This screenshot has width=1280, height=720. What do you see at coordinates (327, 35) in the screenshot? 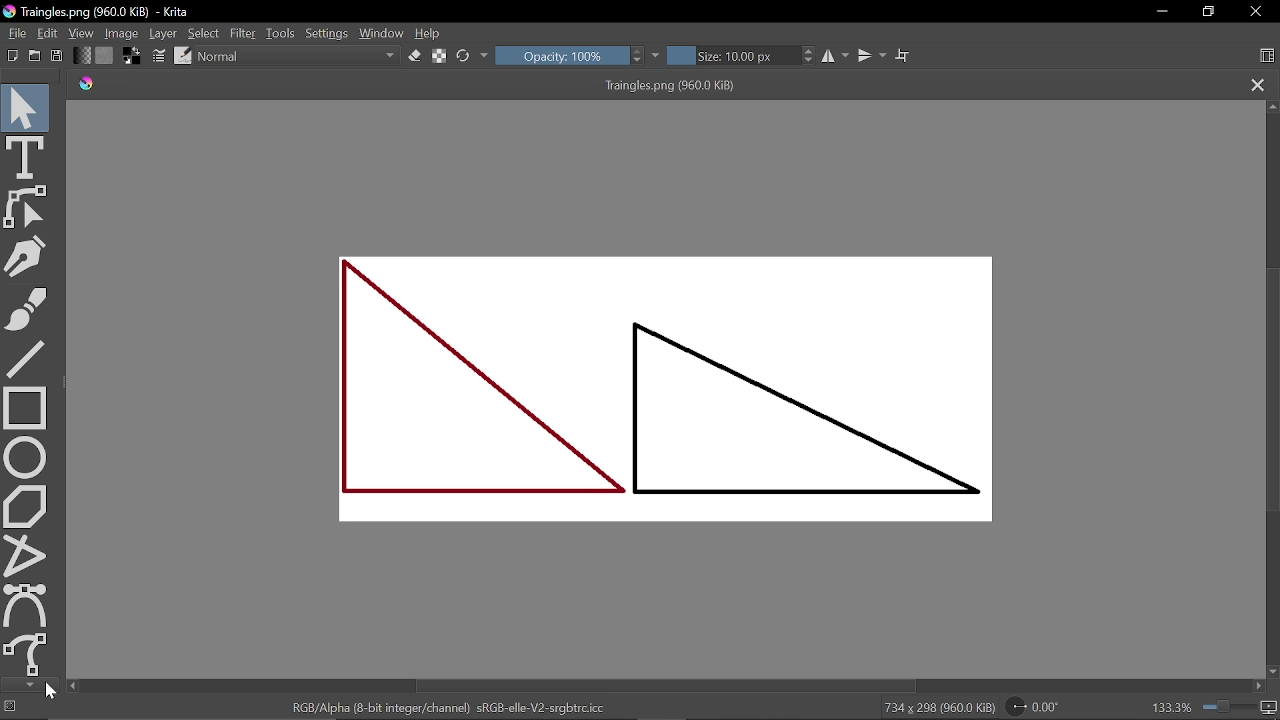
I see `Settings` at bounding box center [327, 35].